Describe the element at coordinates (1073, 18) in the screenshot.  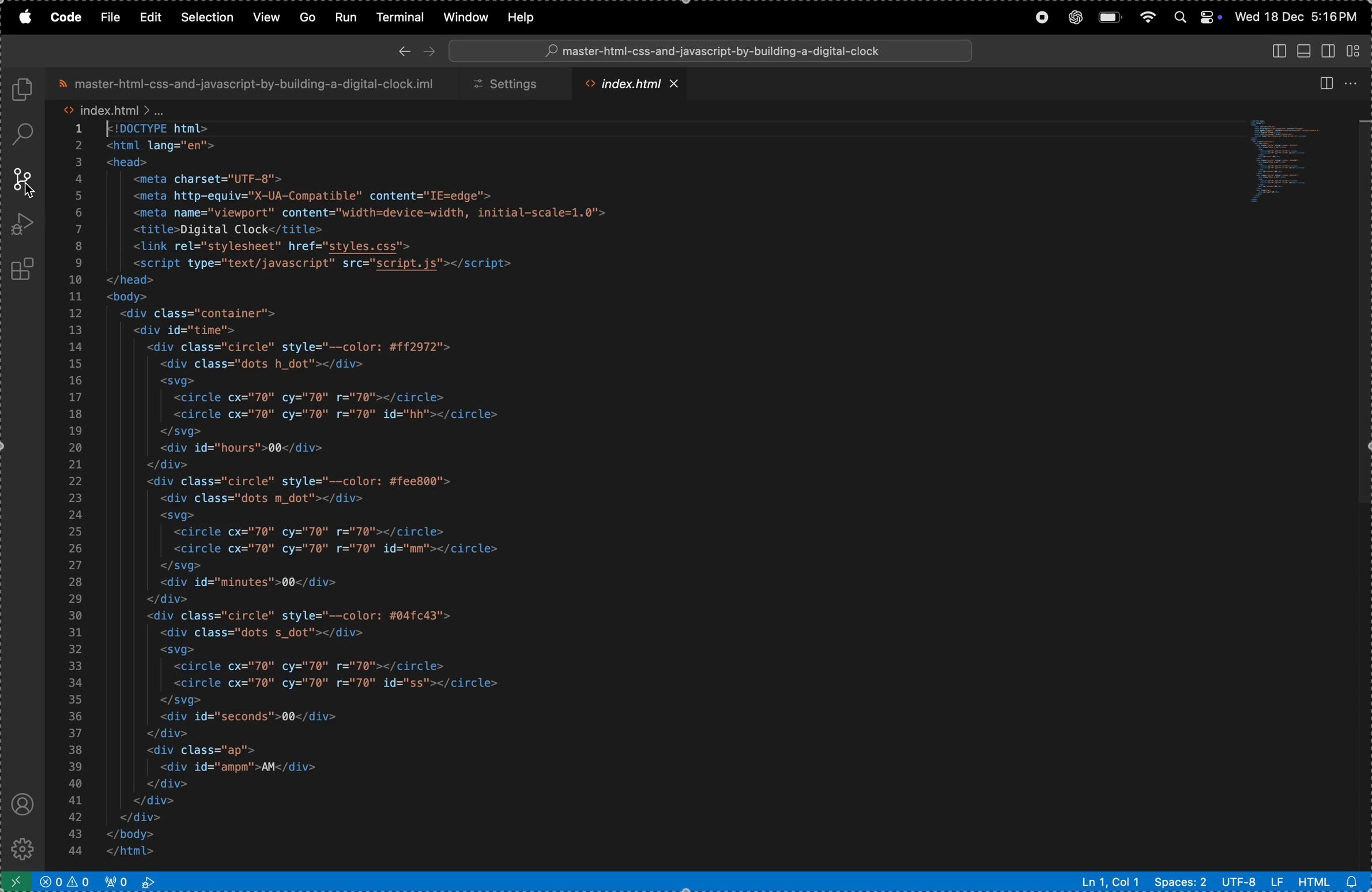
I see `chatgpt` at that location.